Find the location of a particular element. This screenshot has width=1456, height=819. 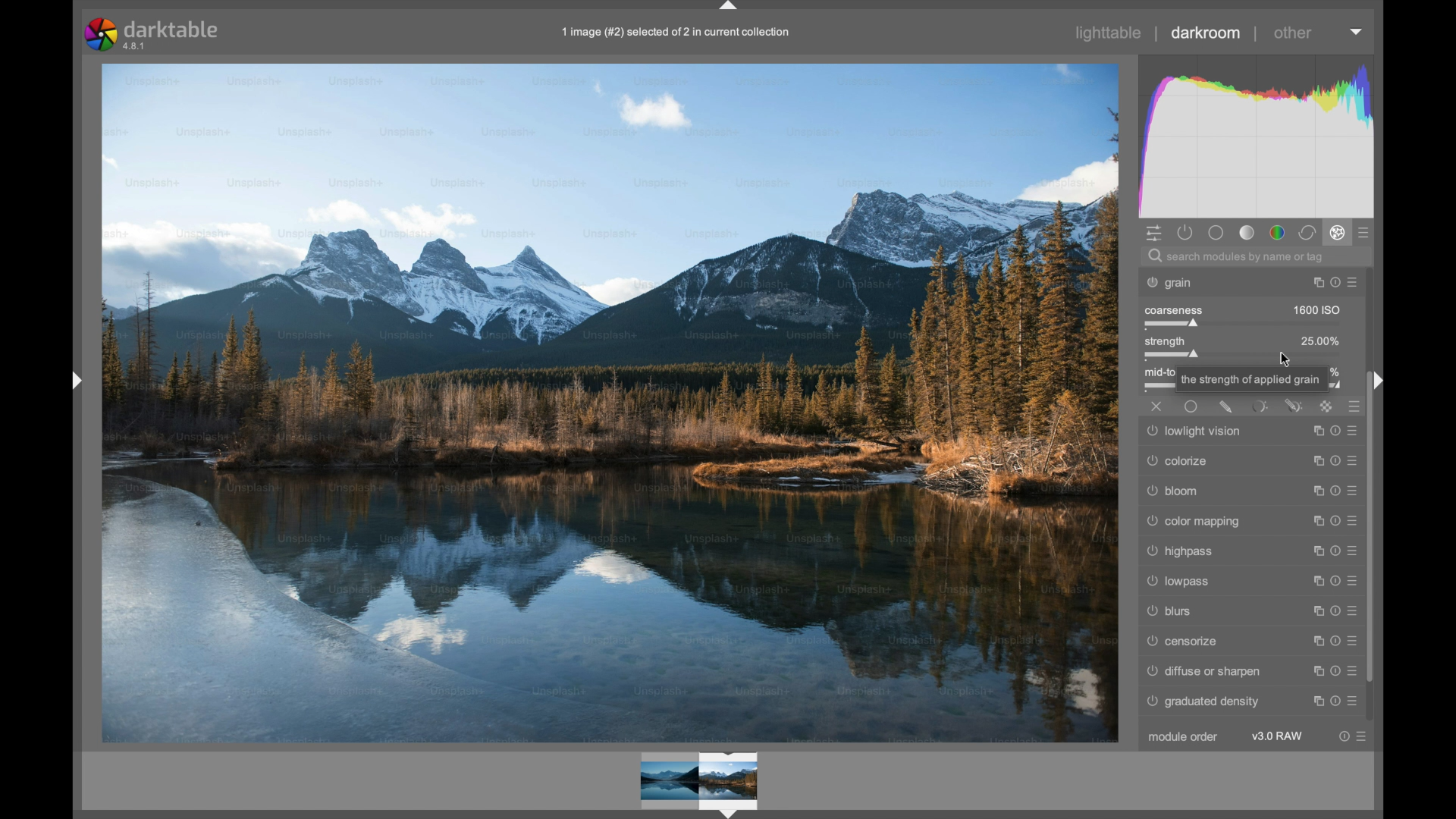

reset parameters is located at coordinates (1333, 460).